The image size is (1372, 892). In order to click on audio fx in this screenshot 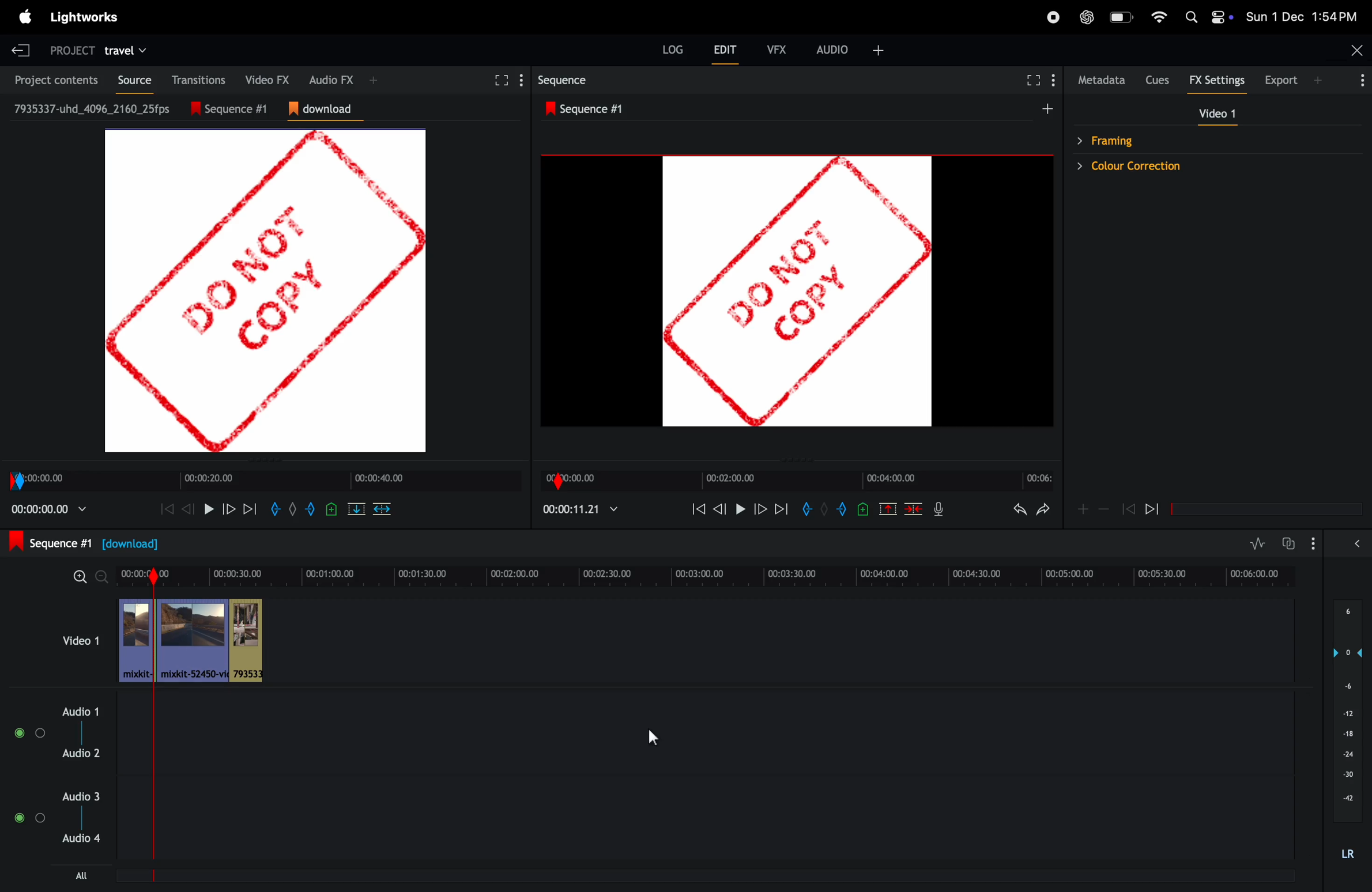, I will do `click(331, 79)`.